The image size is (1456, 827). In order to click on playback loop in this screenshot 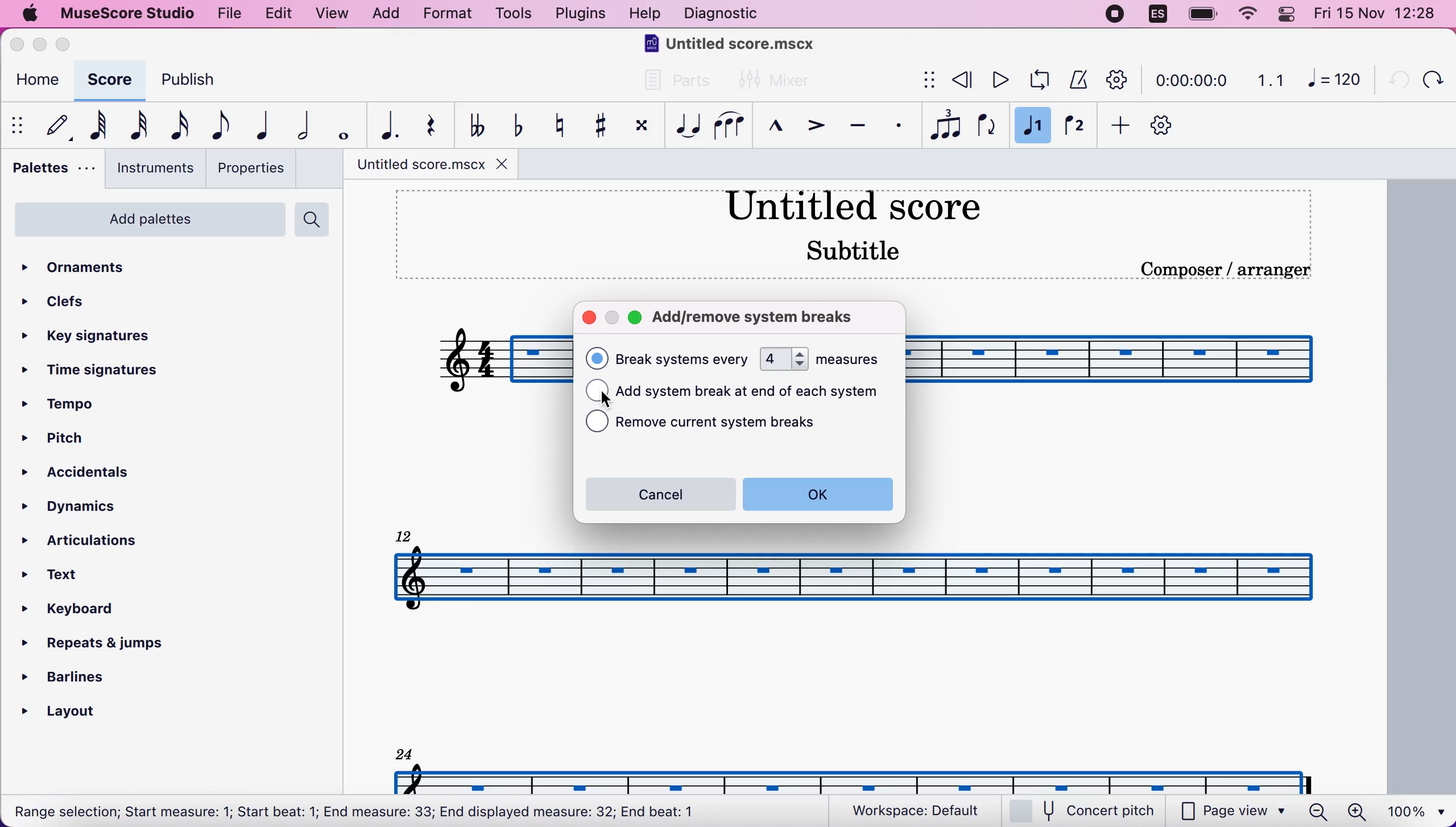, I will do `click(1036, 80)`.